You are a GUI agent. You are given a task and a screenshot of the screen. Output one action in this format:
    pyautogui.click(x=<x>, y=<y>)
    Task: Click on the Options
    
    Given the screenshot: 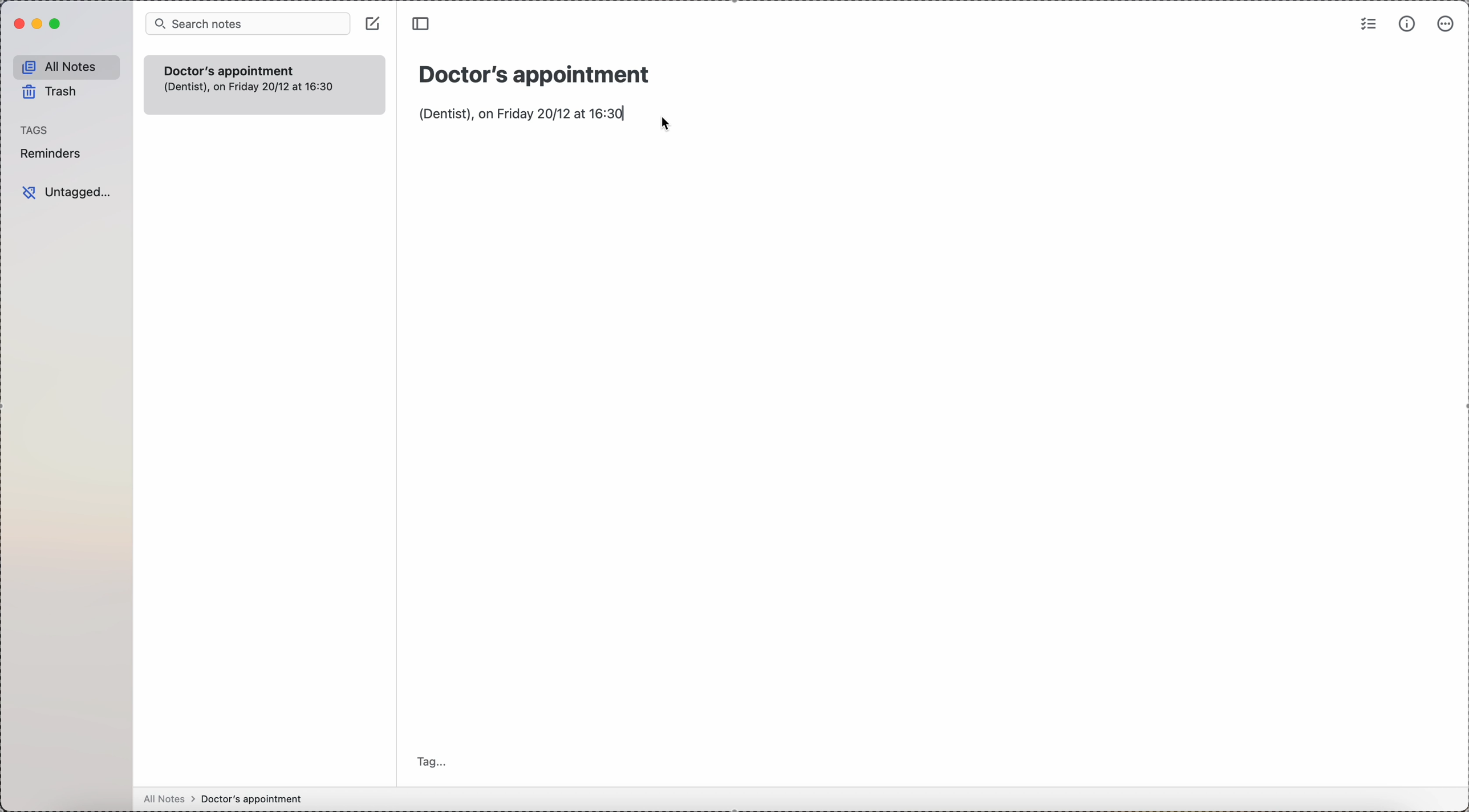 What is the action you would take?
    pyautogui.click(x=1448, y=23)
    